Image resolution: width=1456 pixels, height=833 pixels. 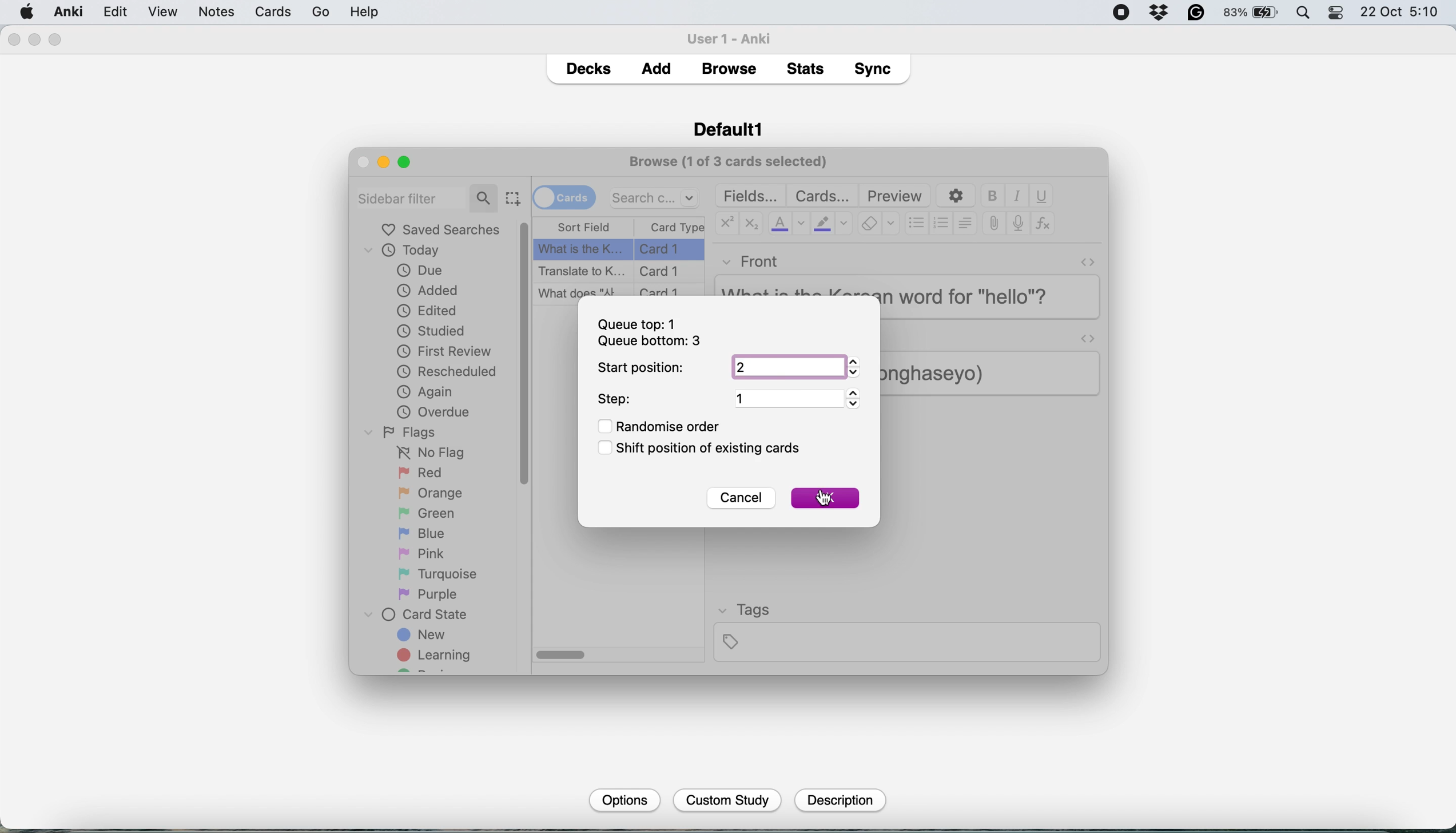 What do you see at coordinates (1306, 14) in the screenshot?
I see `spotlight search` at bounding box center [1306, 14].